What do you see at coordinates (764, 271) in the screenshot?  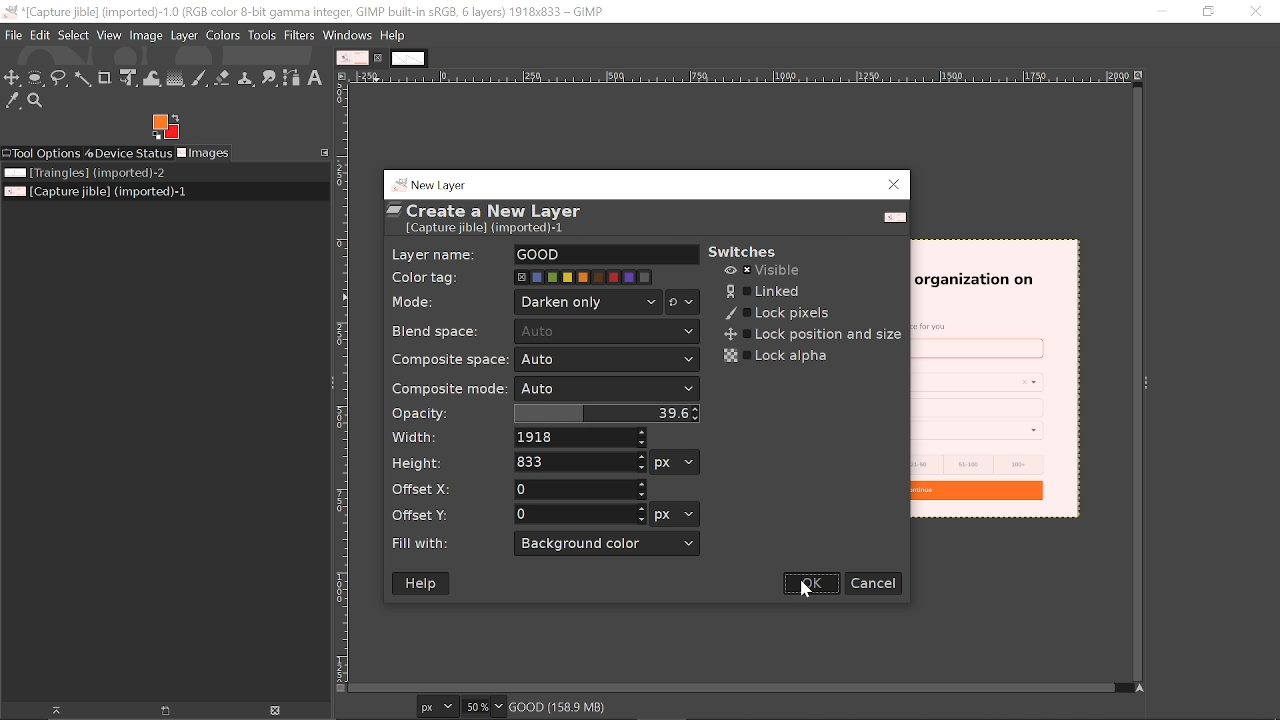 I see `Visible` at bounding box center [764, 271].